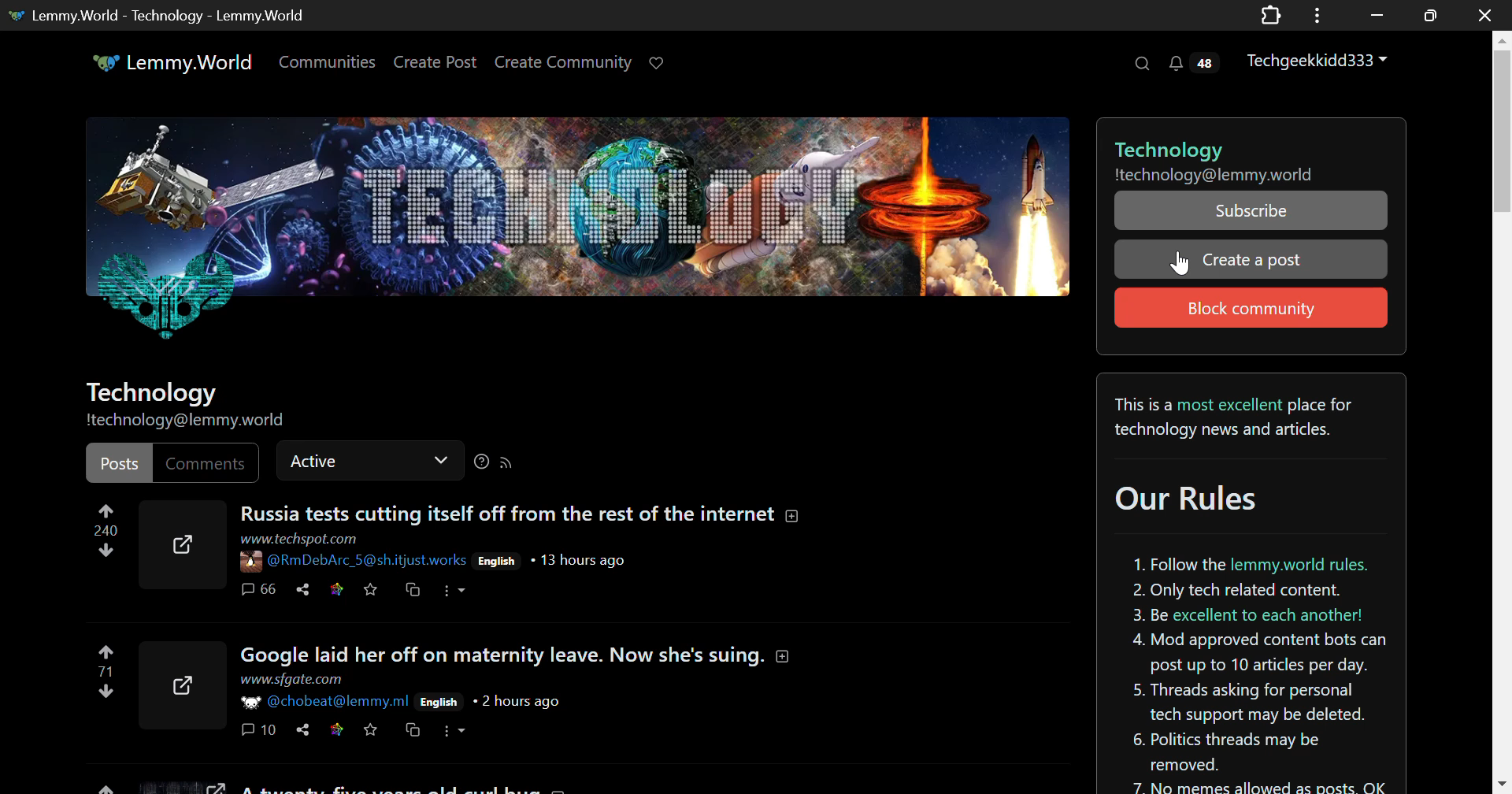 The height and width of the screenshot is (794, 1512). Describe the element at coordinates (291, 680) in the screenshot. I see `sfgate.com` at that location.